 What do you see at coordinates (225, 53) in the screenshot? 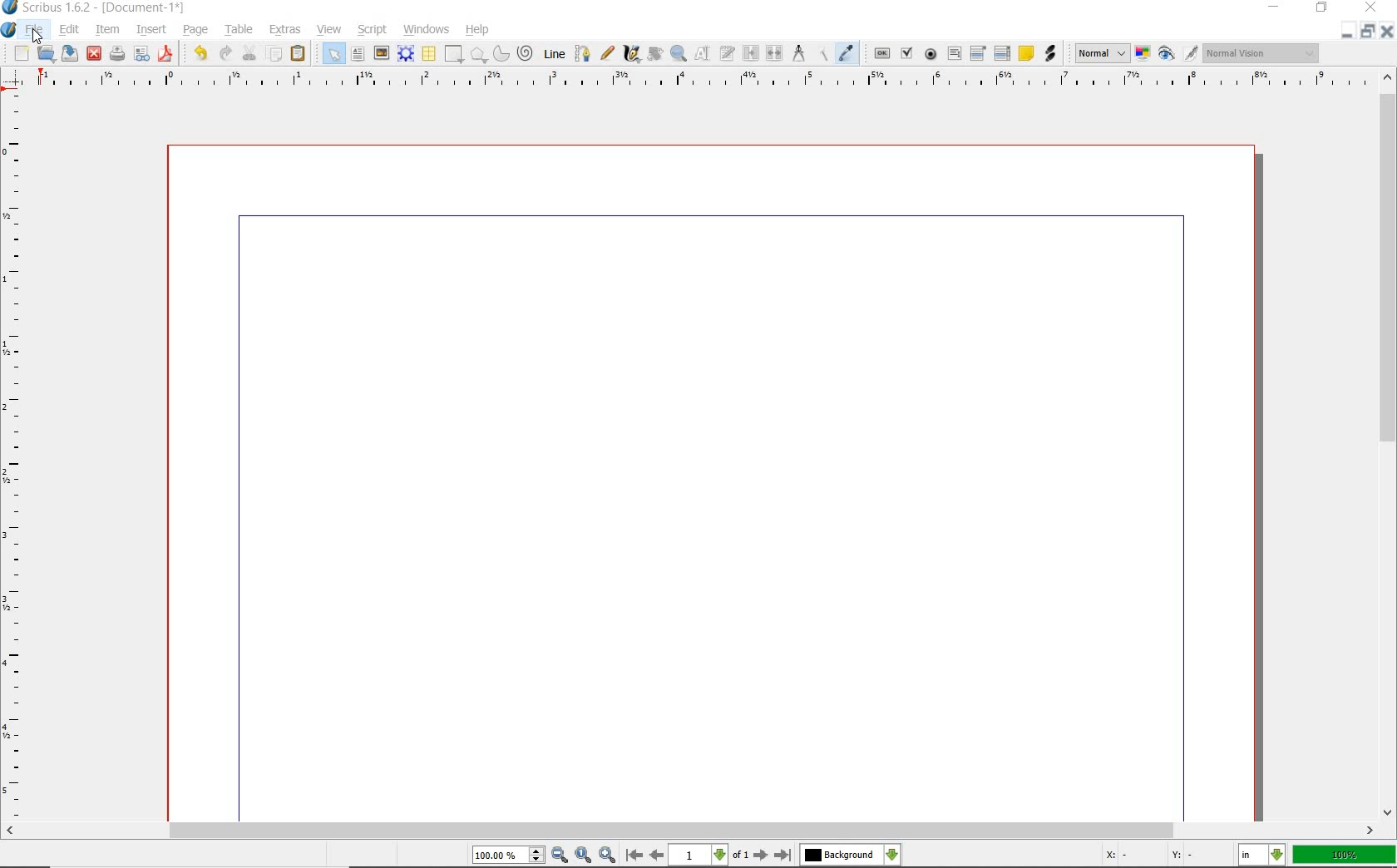
I see `redo` at bounding box center [225, 53].